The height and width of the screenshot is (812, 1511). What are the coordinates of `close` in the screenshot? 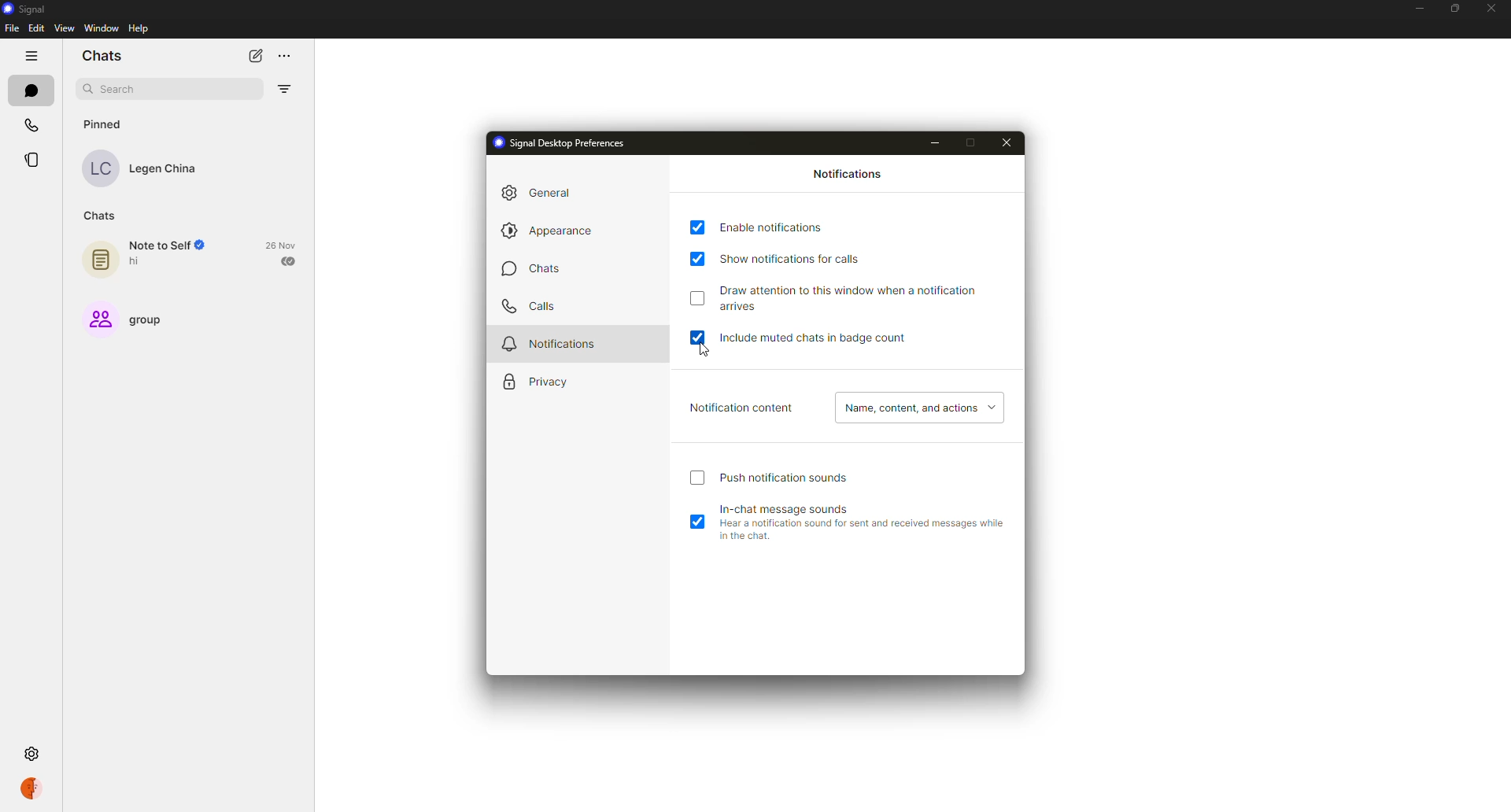 It's located at (1009, 141).